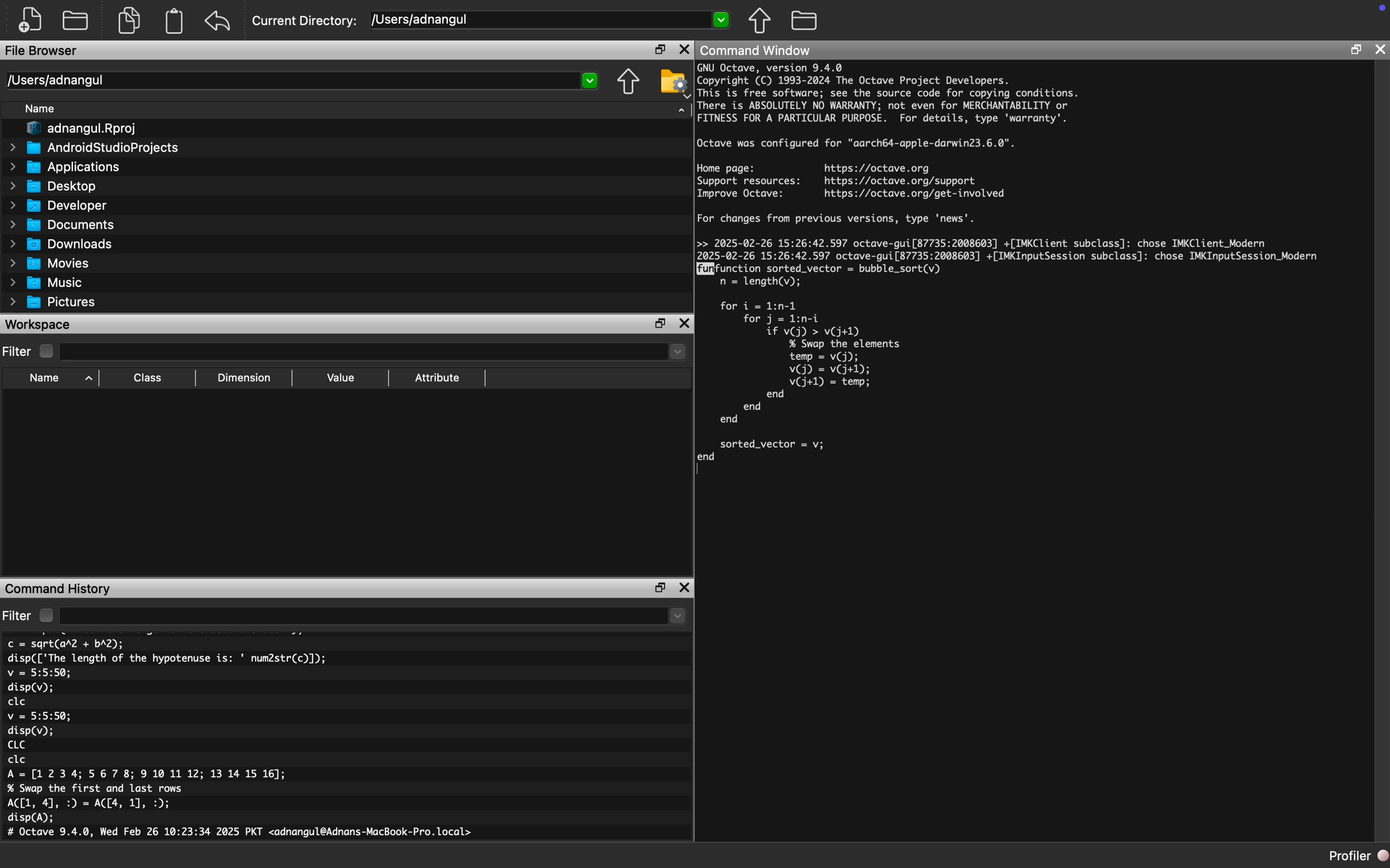 The image size is (1390, 868). I want to click on AndroidStudioProjects, so click(94, 149).